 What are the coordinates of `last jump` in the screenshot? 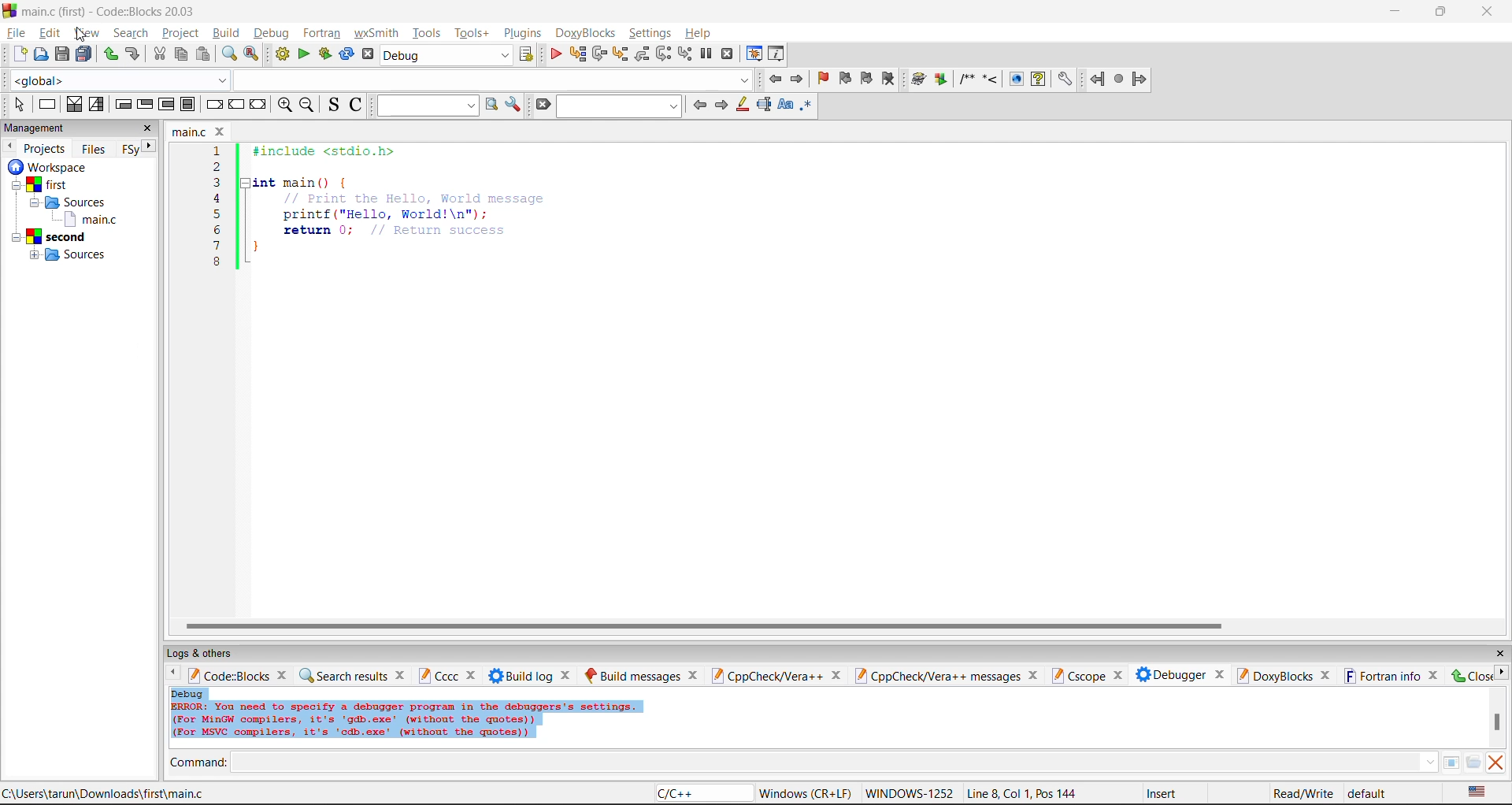 It's located at (1121, 79).